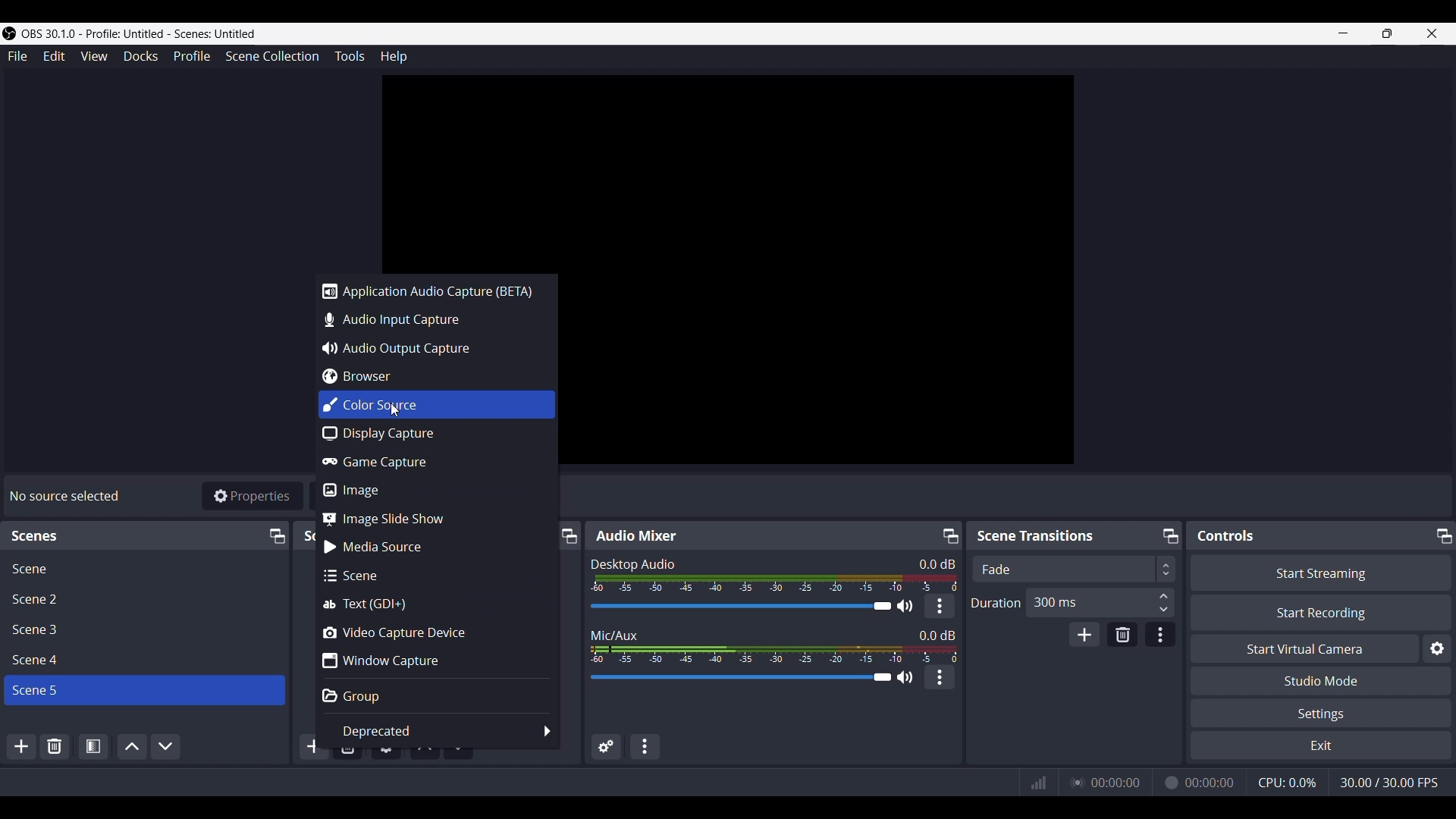  I want to click on Game capture, so click(433, 463).